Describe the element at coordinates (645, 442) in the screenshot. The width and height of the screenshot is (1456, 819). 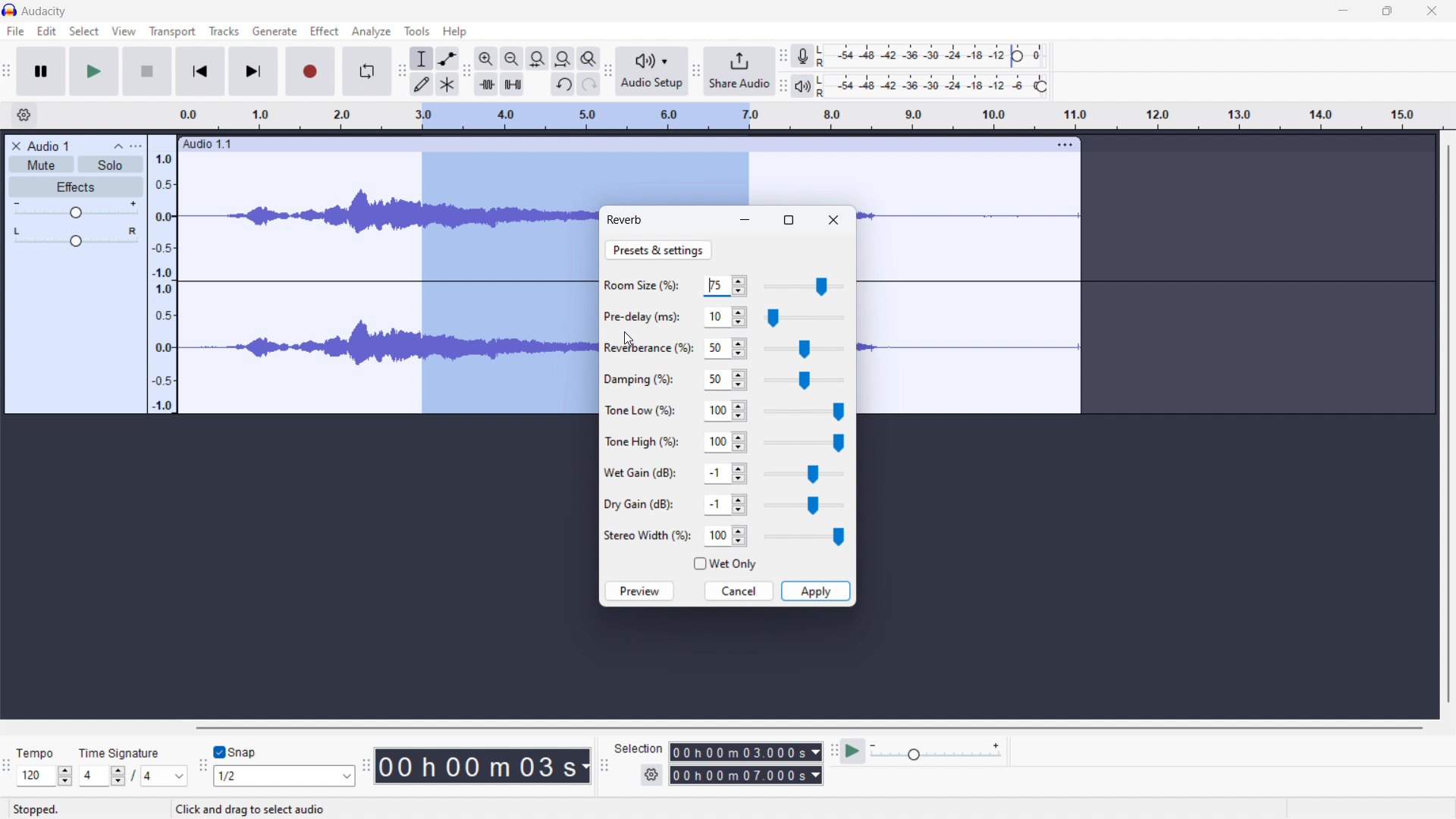
I see `Tone High (%):` at that location.